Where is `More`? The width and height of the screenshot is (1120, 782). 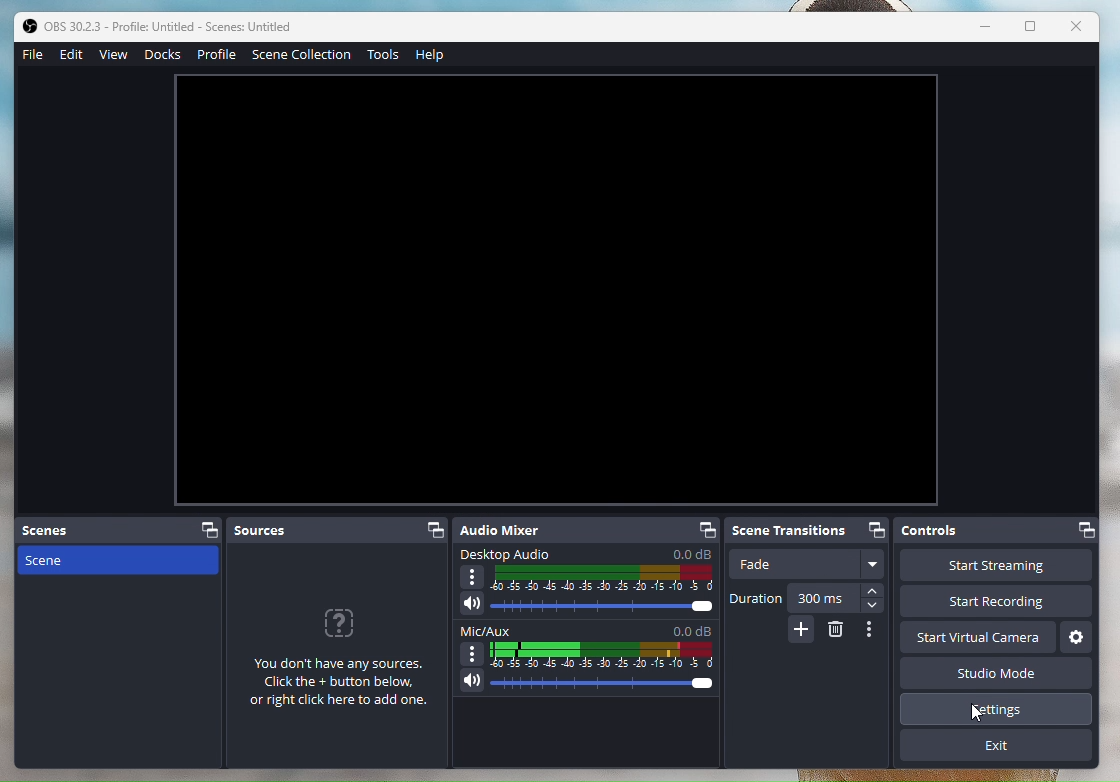
More is located at coordinates (871, 633).